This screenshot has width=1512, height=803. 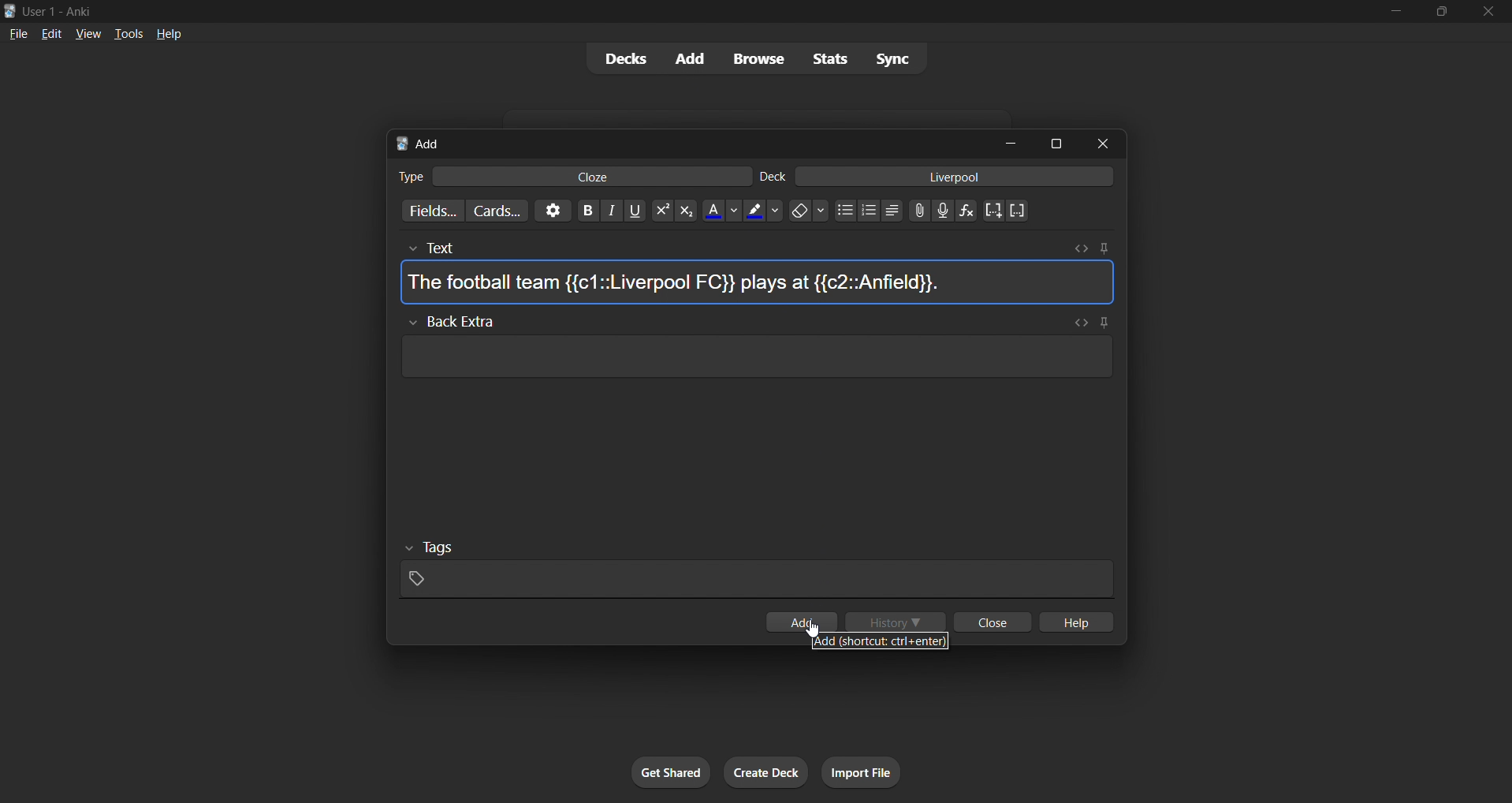 I want to click on title bar, so click(x=635, y=12).